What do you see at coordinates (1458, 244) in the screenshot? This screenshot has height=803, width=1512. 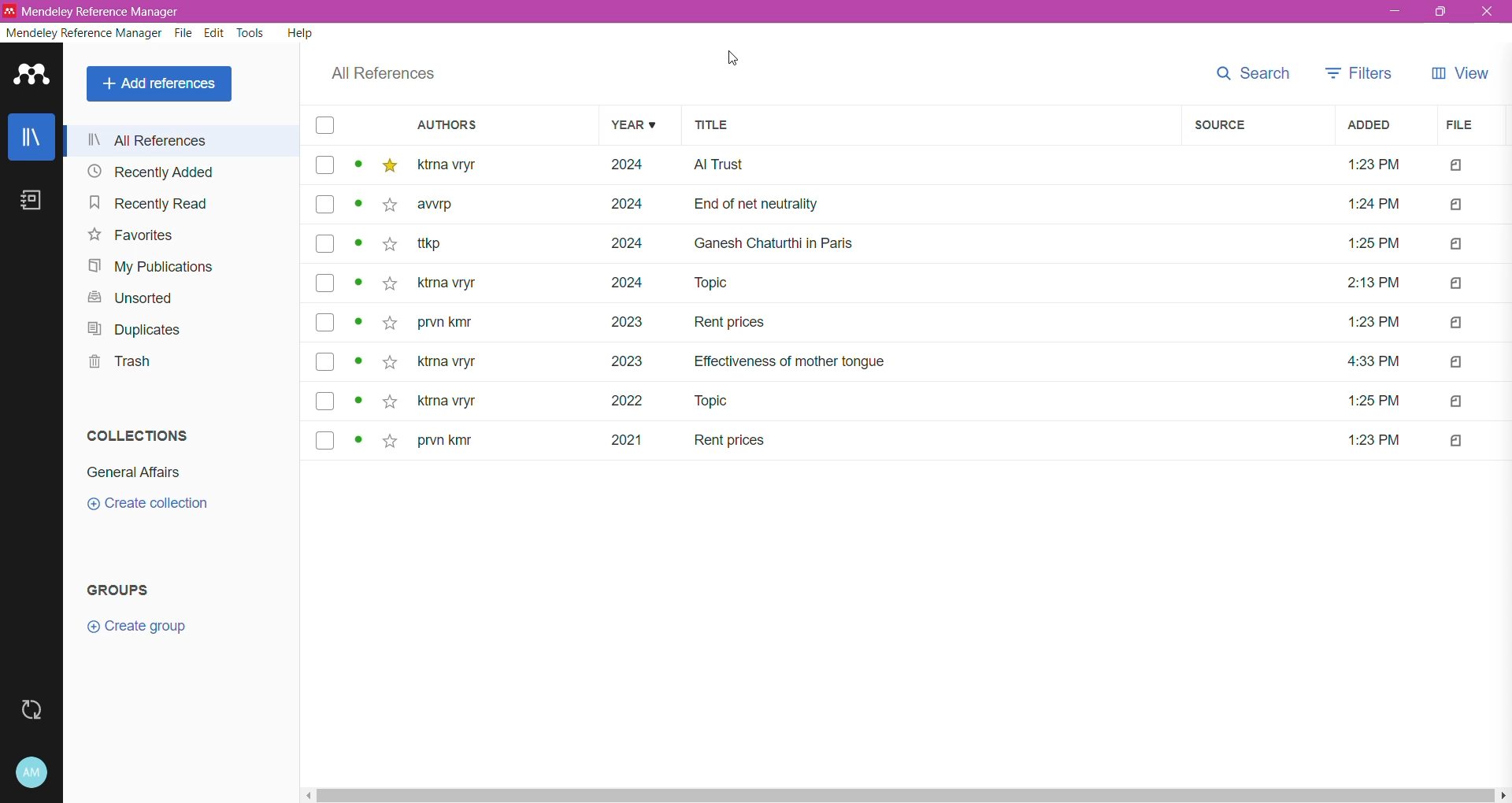 I see `file type` at bounding box center [1458, 244].